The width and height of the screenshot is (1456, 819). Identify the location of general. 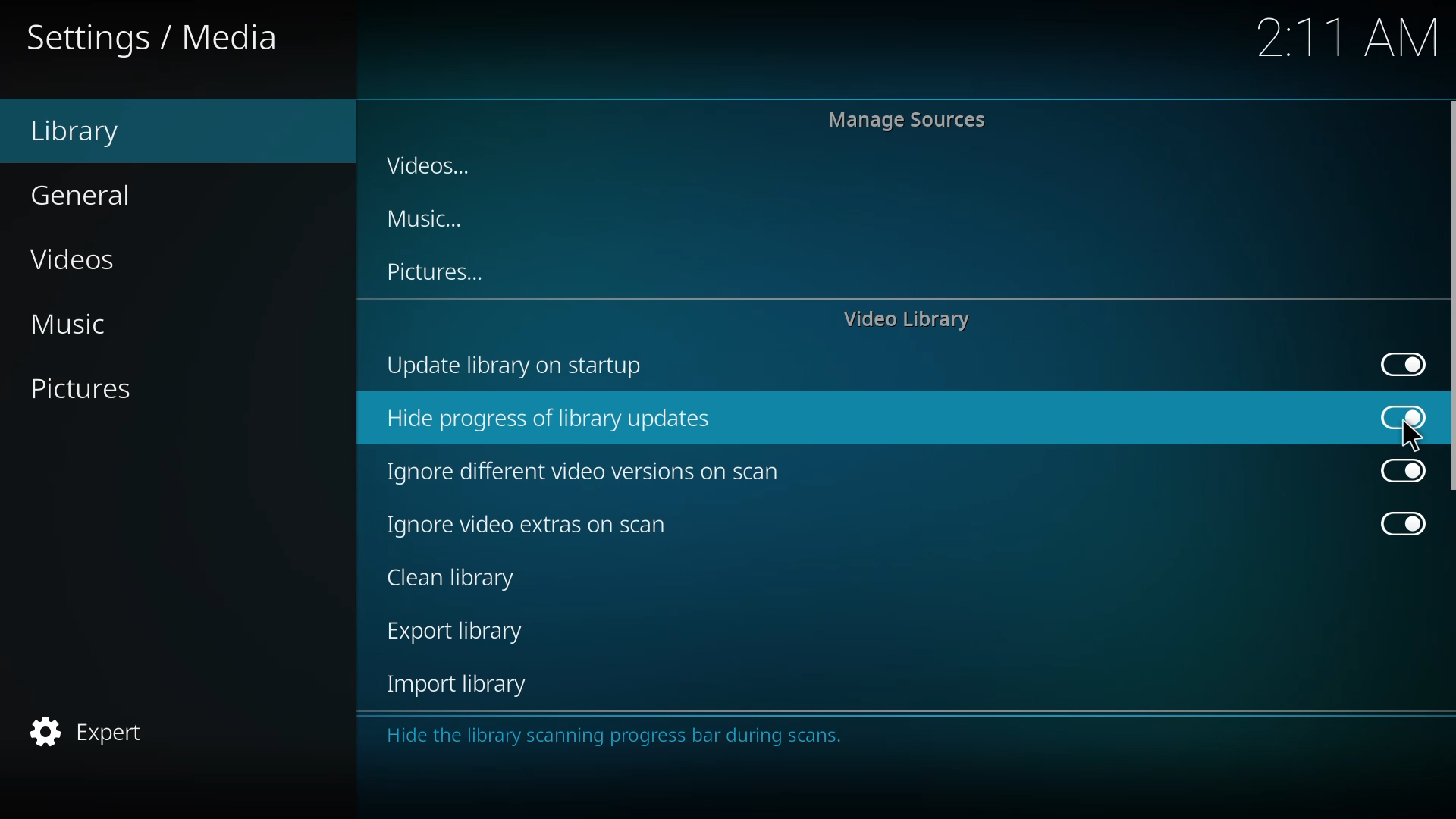
(84, 195).